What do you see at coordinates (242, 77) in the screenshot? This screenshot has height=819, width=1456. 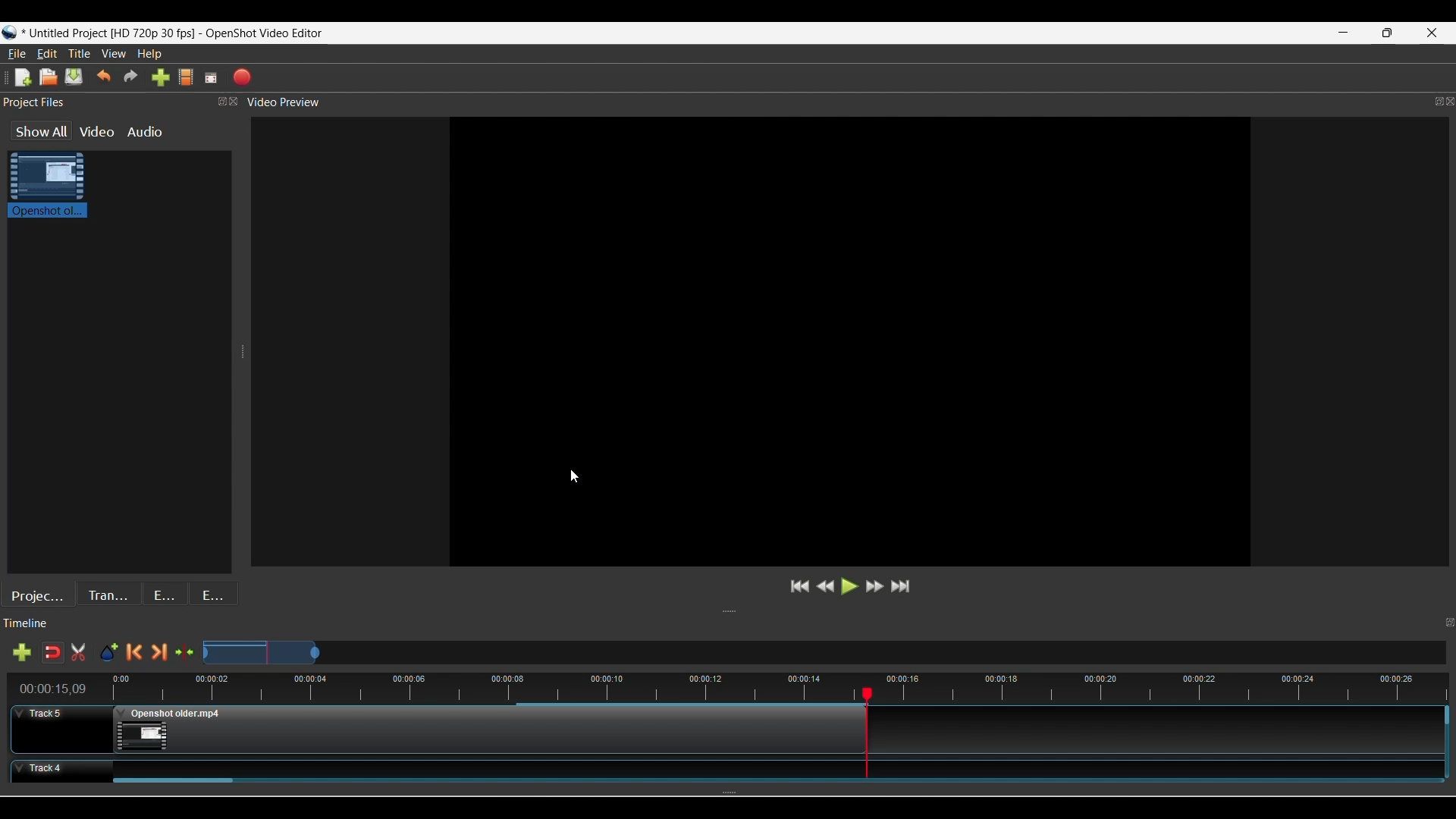 I see `Export video` at bounding box center [242, 77].